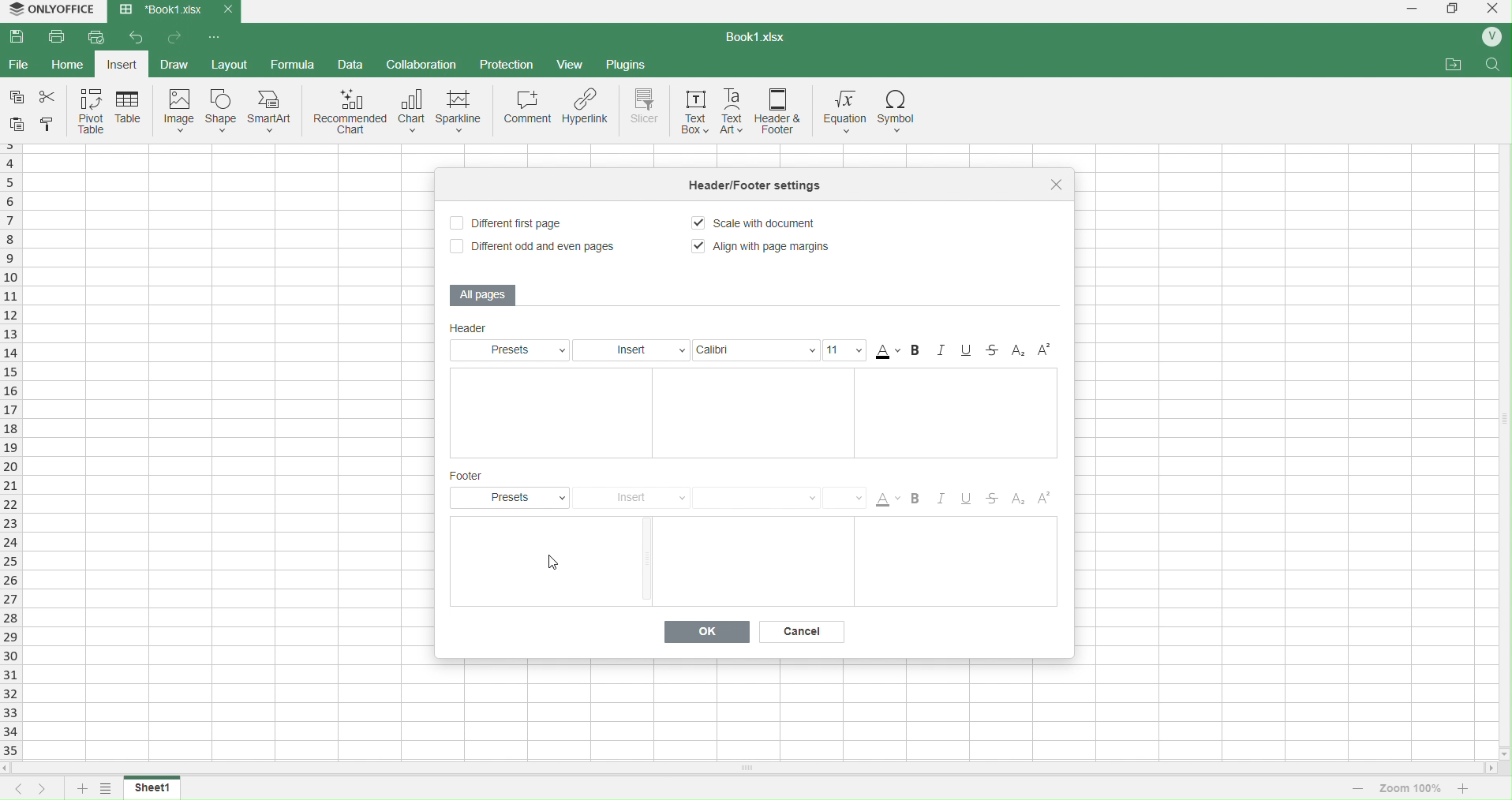 The height and width of the screenshot is (800, 1512). I want to click on Align with Page Margins, so click(764, 247).